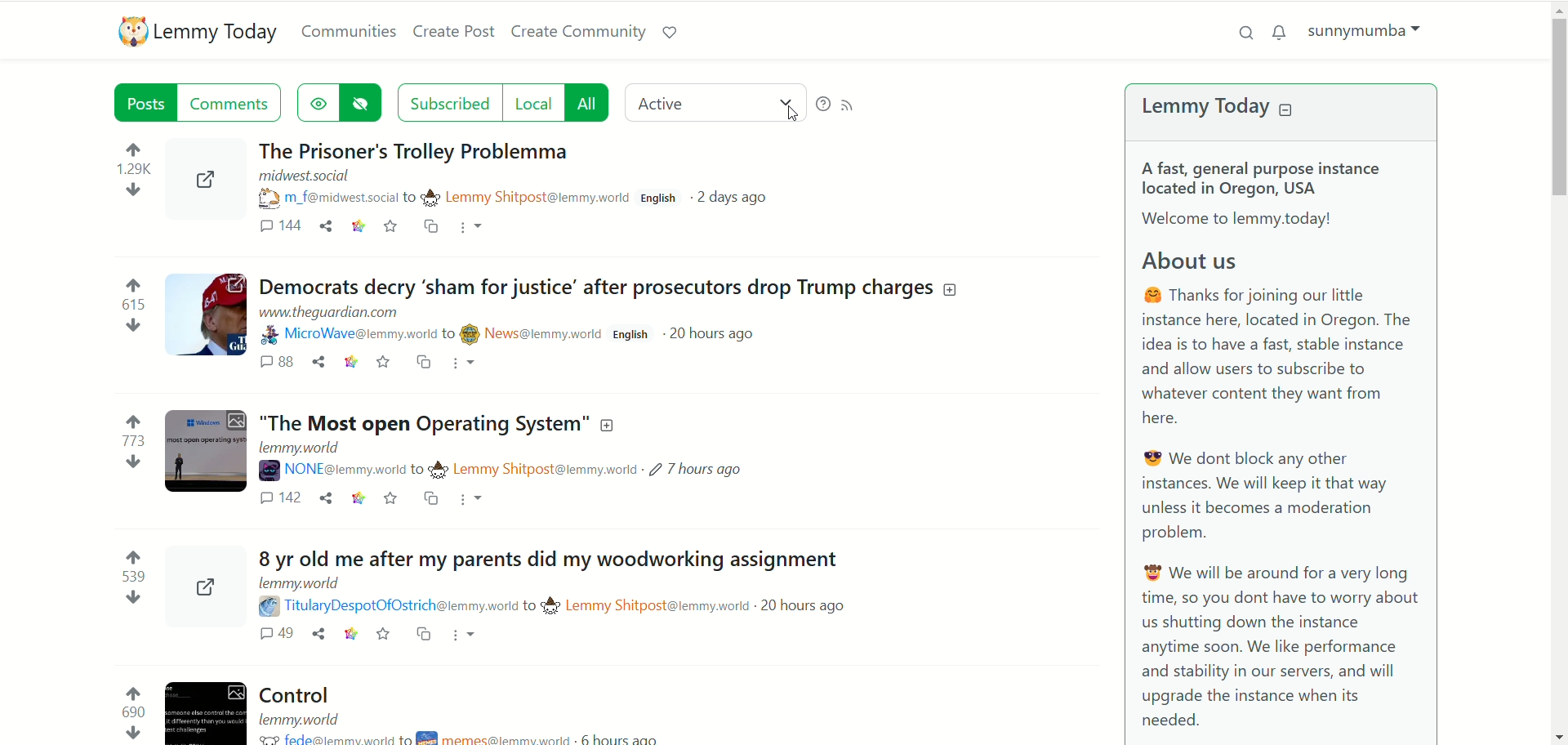  What do you see at coordinates (454, 470) in the screenshot?
I see `NONE@lemmy.world to Lemmy Shitpost@lemmy.world` at bounding box center [454, 470].